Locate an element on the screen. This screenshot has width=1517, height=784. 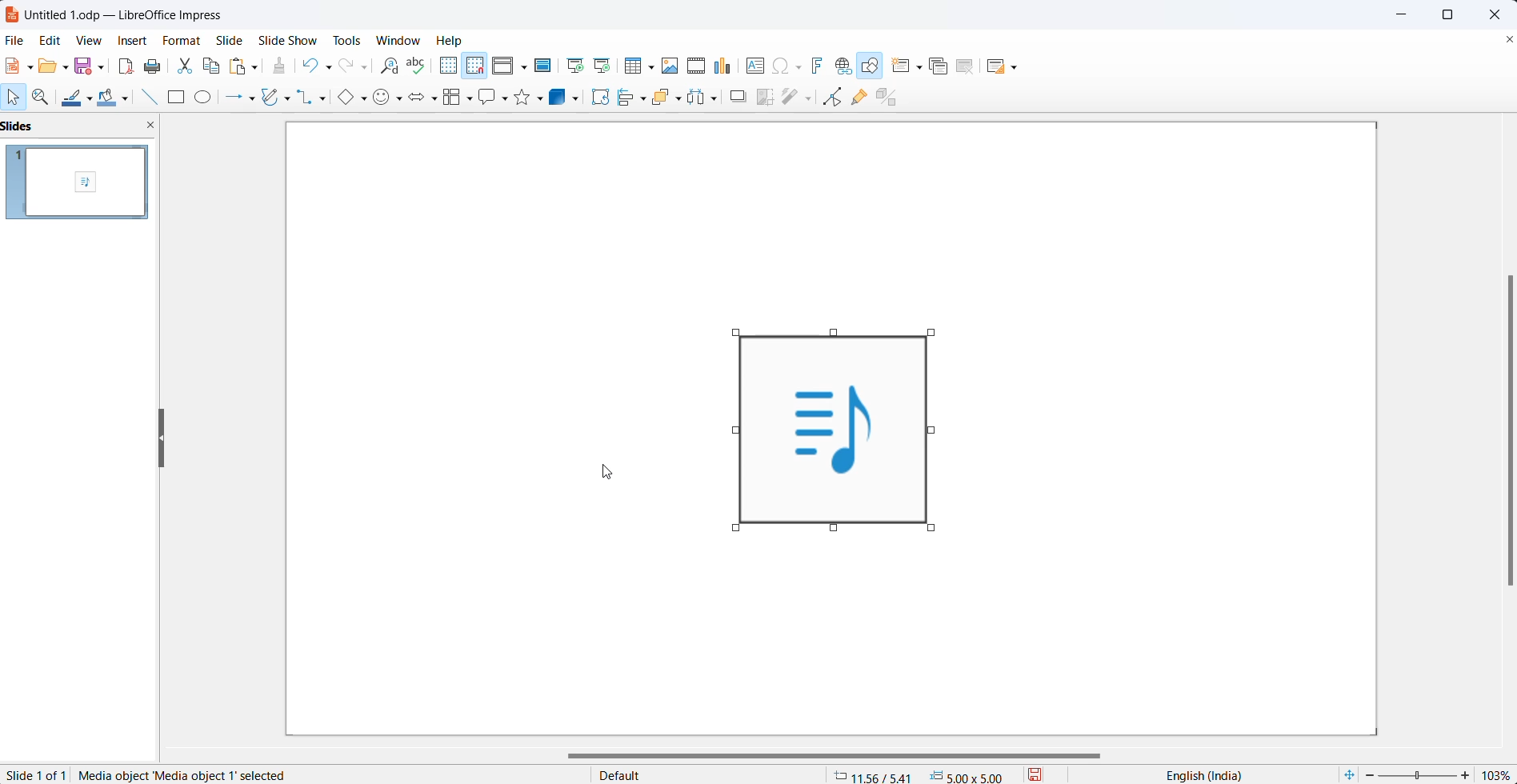
filter is located at coordinates (798, 99).